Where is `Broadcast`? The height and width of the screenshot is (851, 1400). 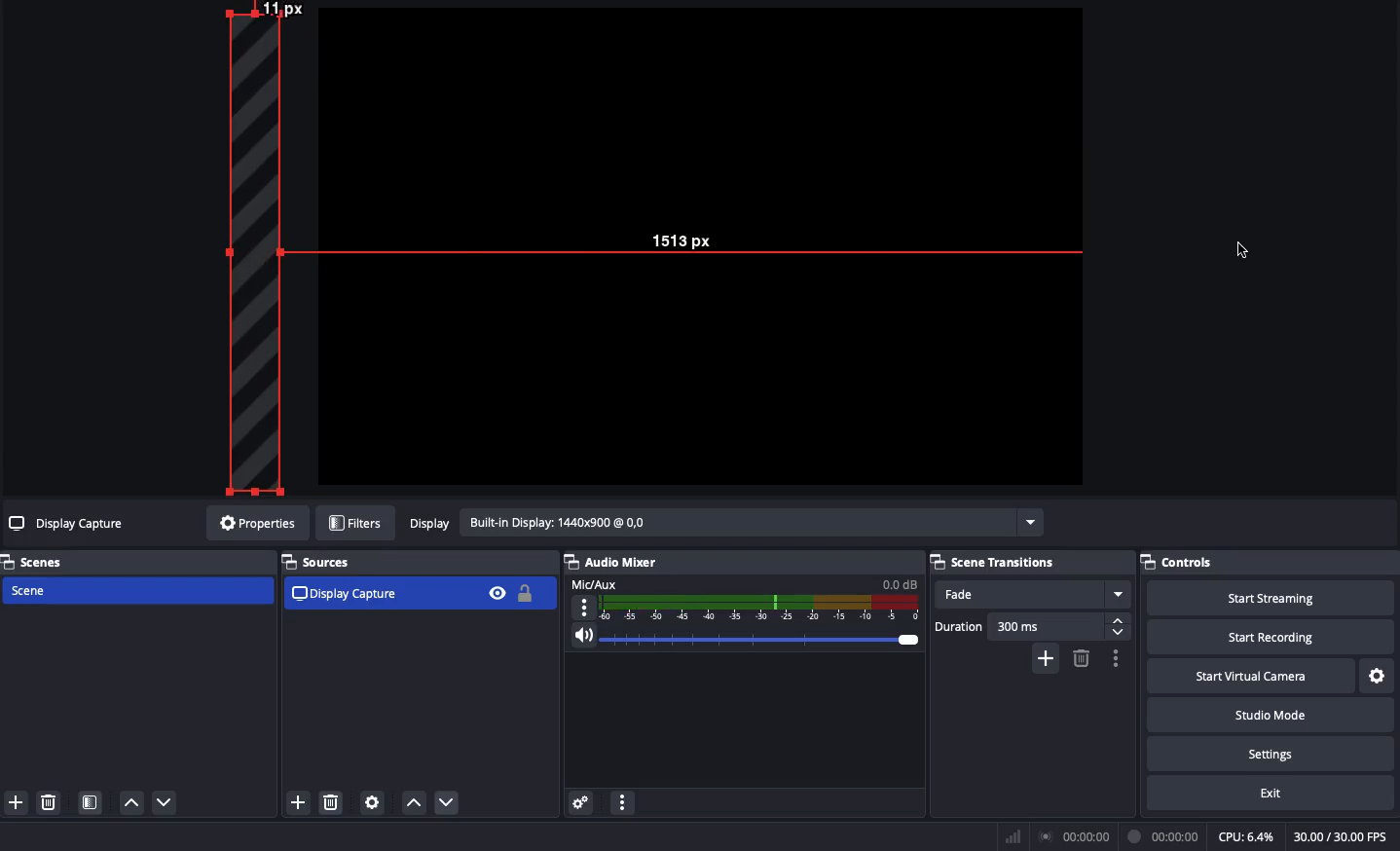
Broadcast is located at coordinates (1078, 837).